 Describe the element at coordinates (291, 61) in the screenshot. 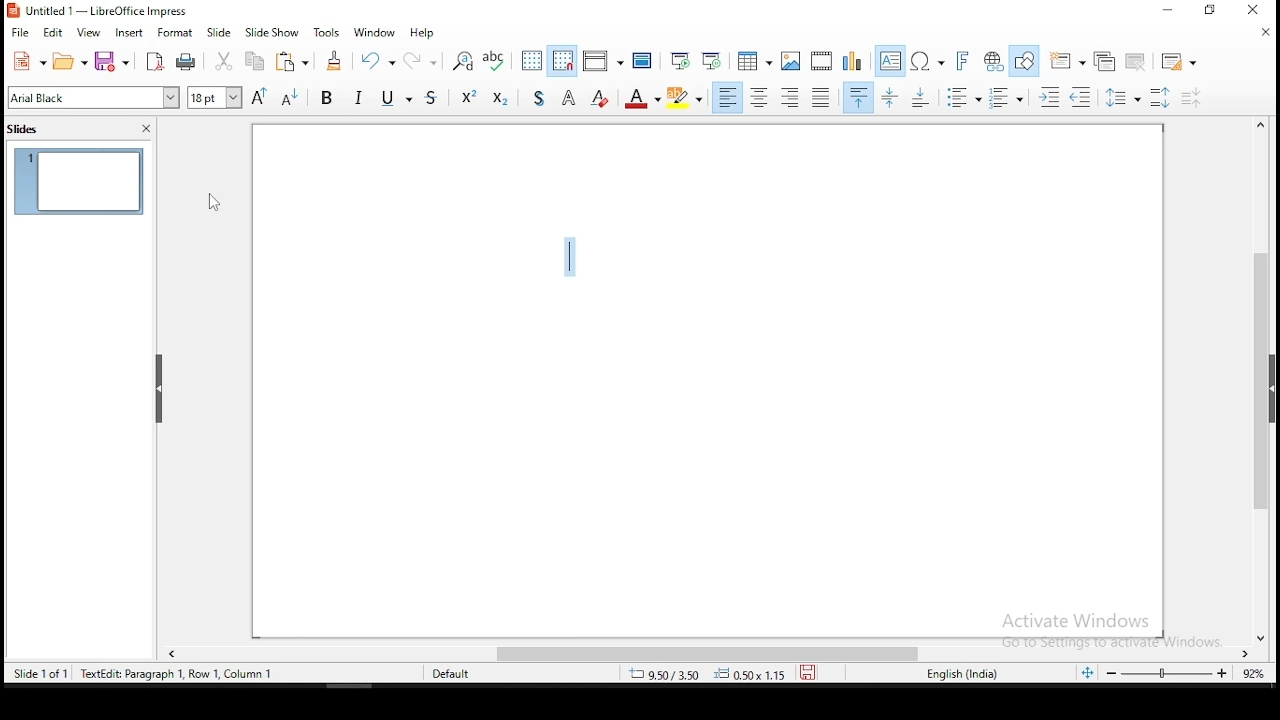

I see `paste` at that location.